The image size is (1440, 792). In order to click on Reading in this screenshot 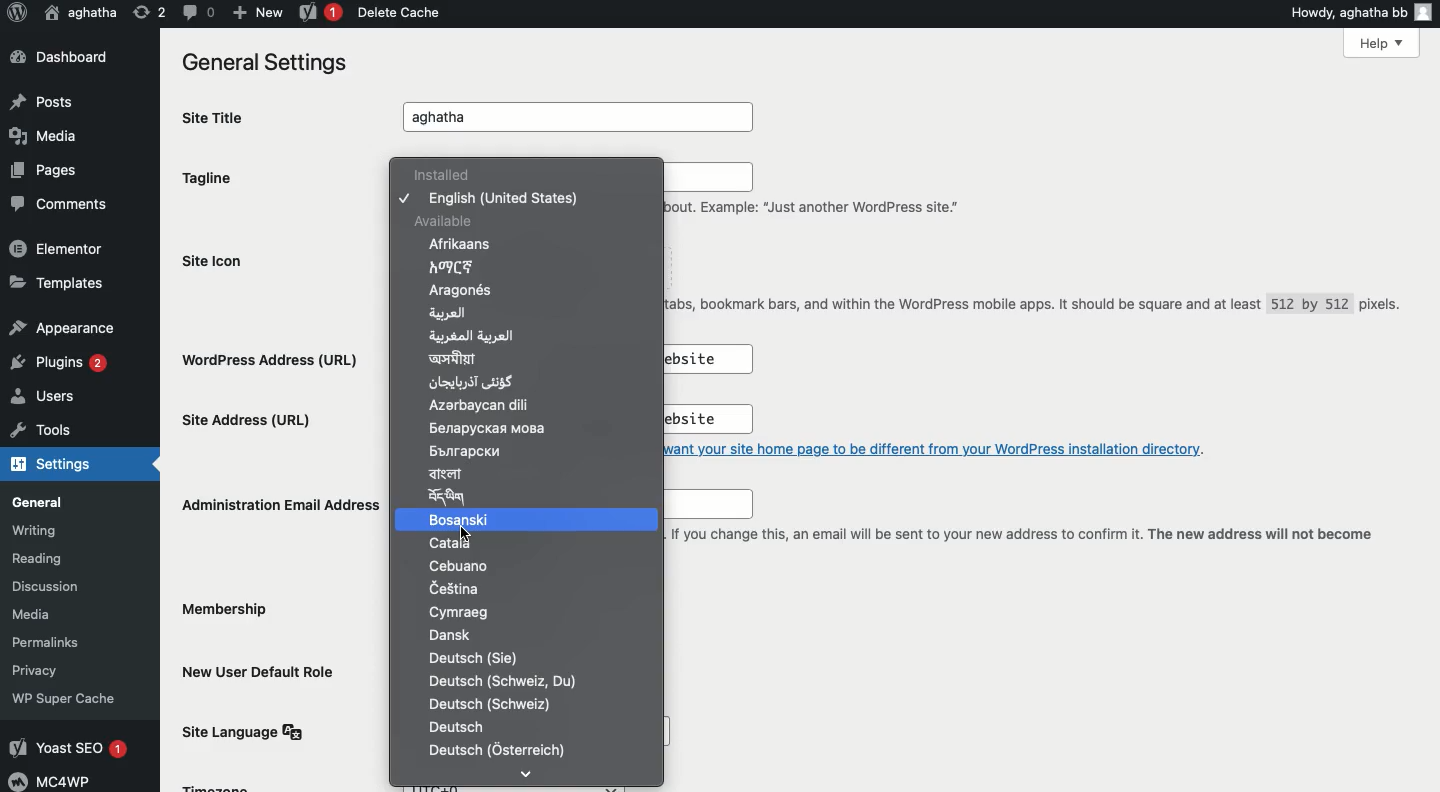, I will do `click(58, 559)`.